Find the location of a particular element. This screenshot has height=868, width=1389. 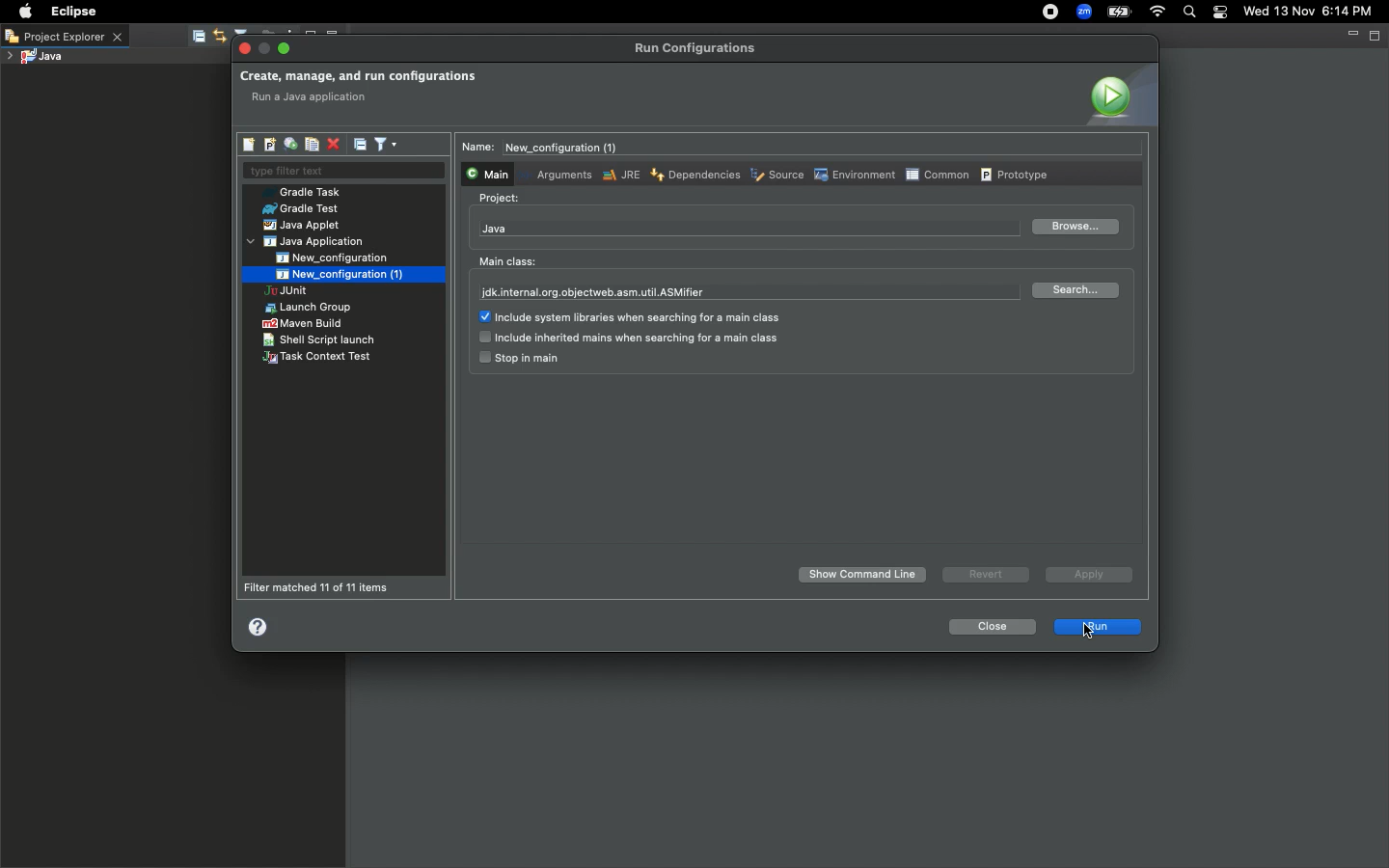

run is located at coordinates (1099, 628).